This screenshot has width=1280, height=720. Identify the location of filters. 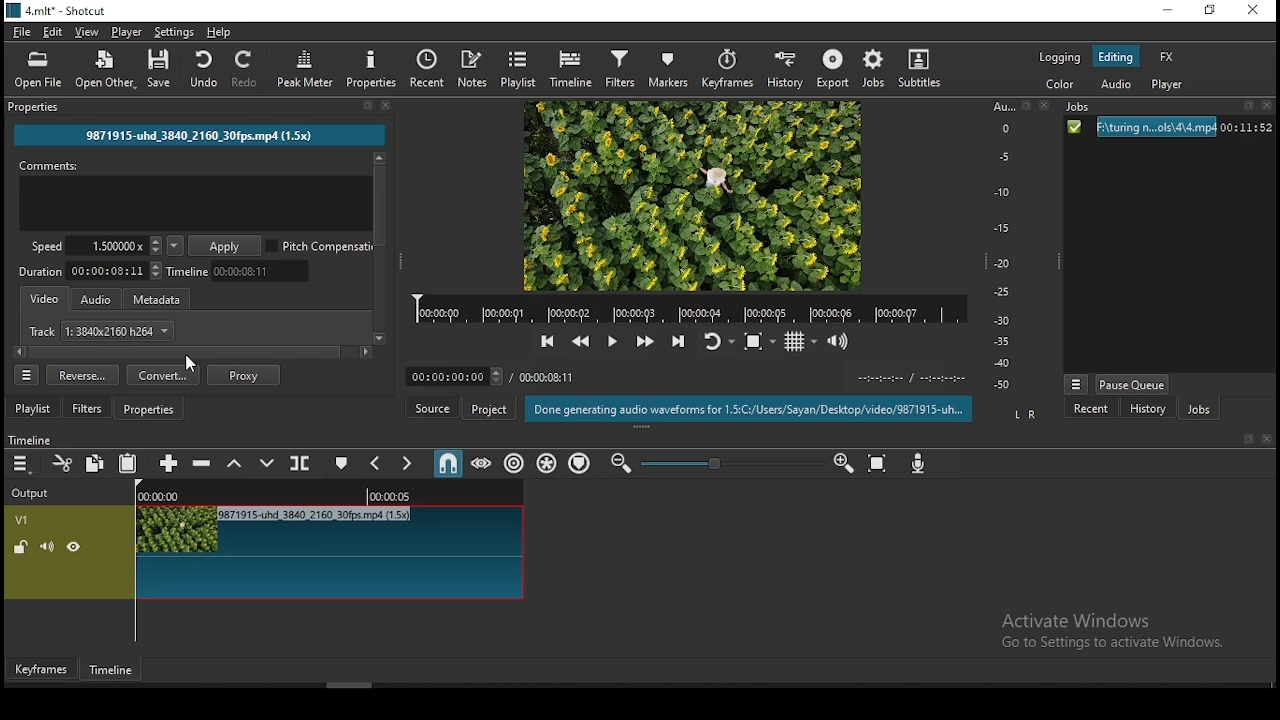
(87, 408).